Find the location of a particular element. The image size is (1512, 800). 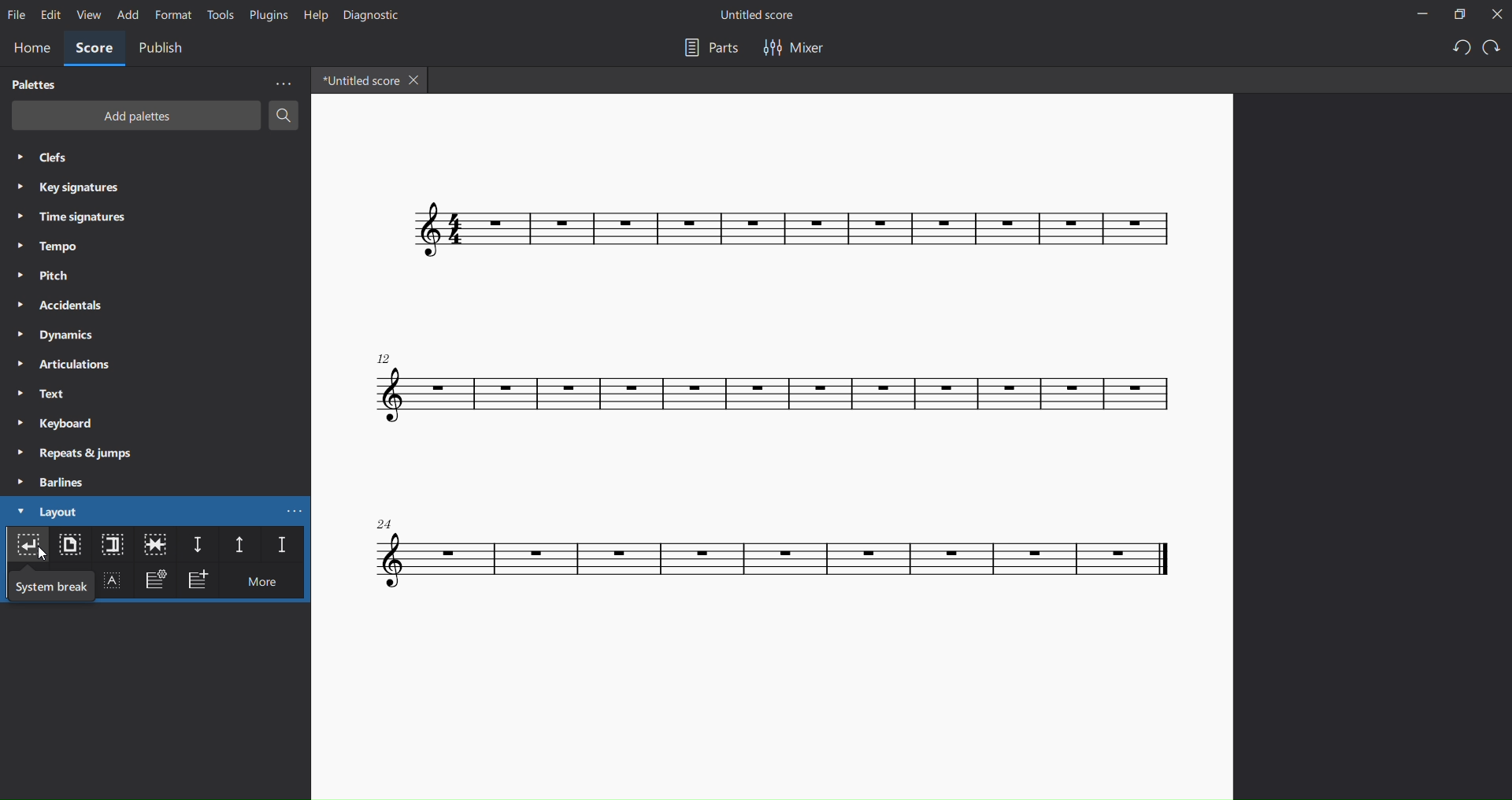

plugins is located at coordinates (265, 17).